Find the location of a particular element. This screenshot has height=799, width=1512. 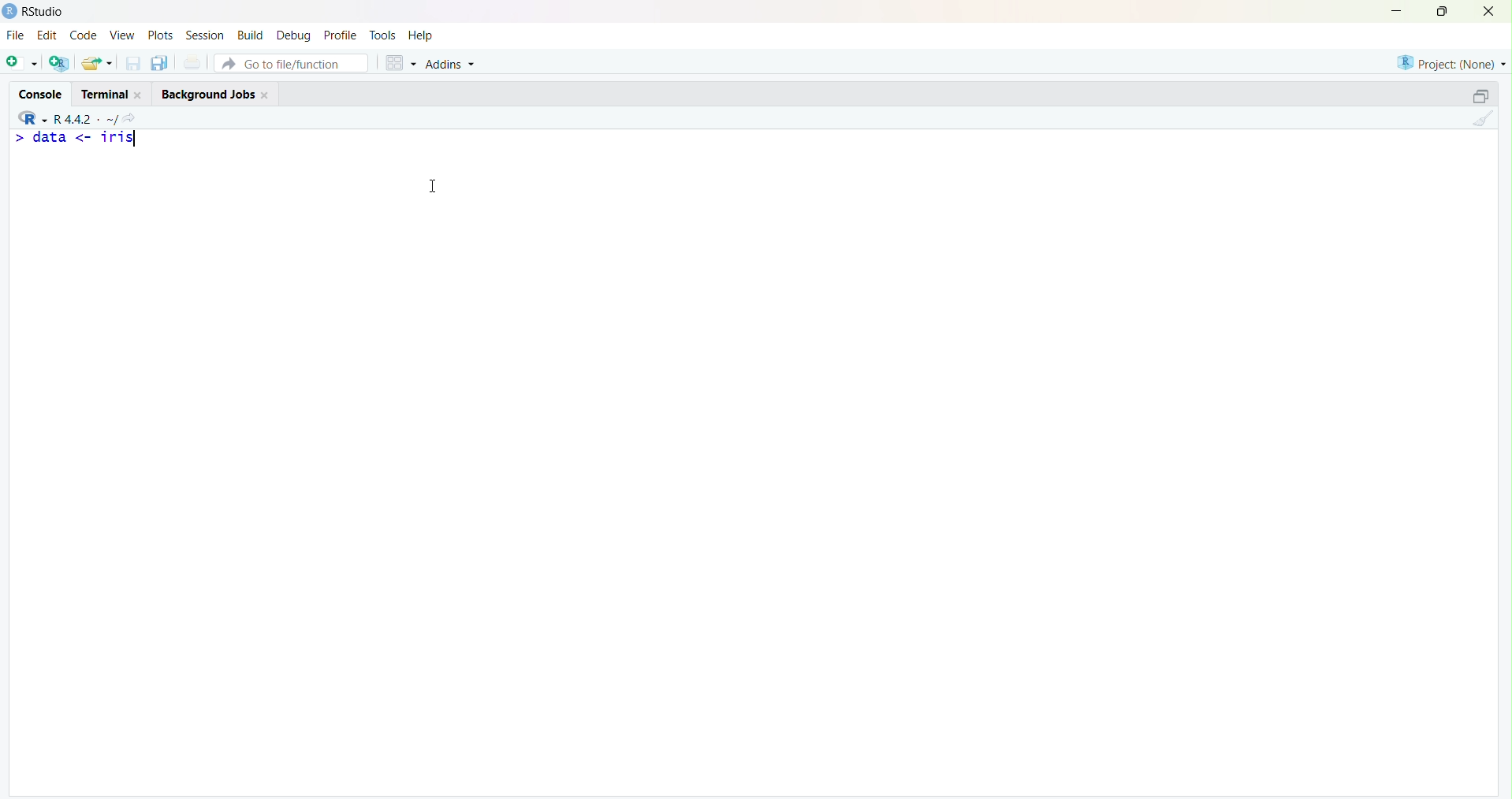

View the current working directory is located at coordinates (136, 117).